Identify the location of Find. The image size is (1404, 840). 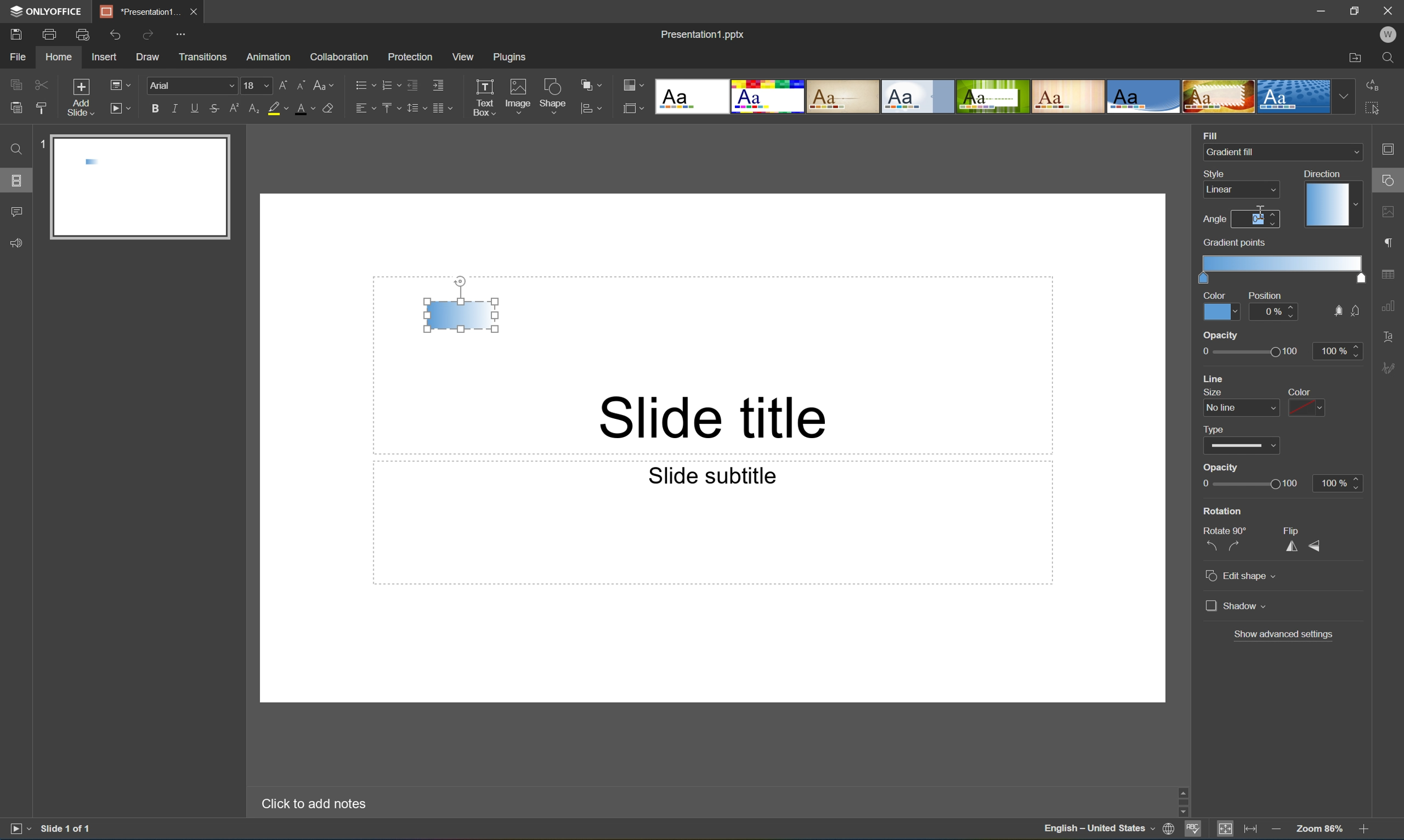
(14, 149).